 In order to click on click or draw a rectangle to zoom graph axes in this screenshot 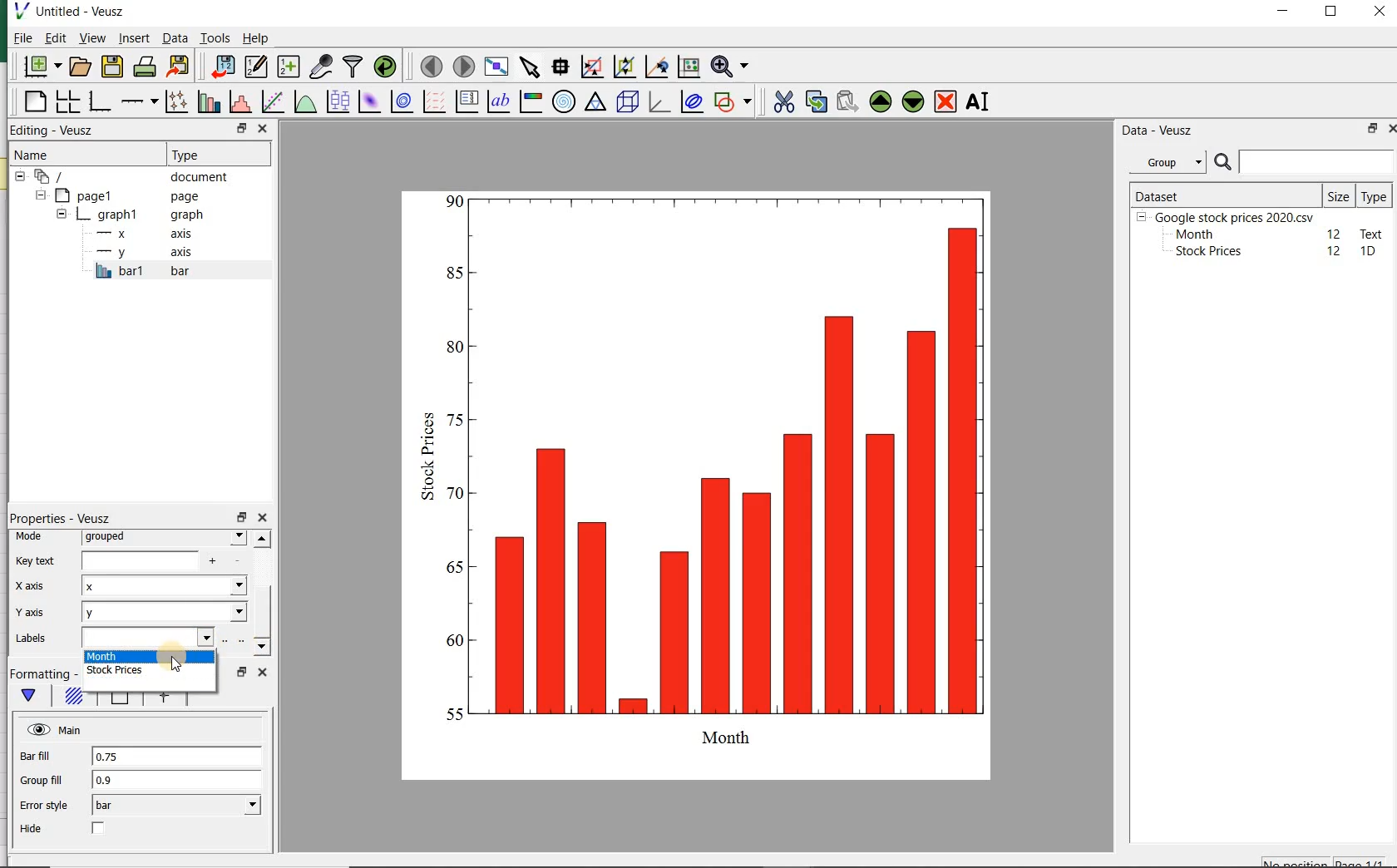, I will do `click(591, 67)`.